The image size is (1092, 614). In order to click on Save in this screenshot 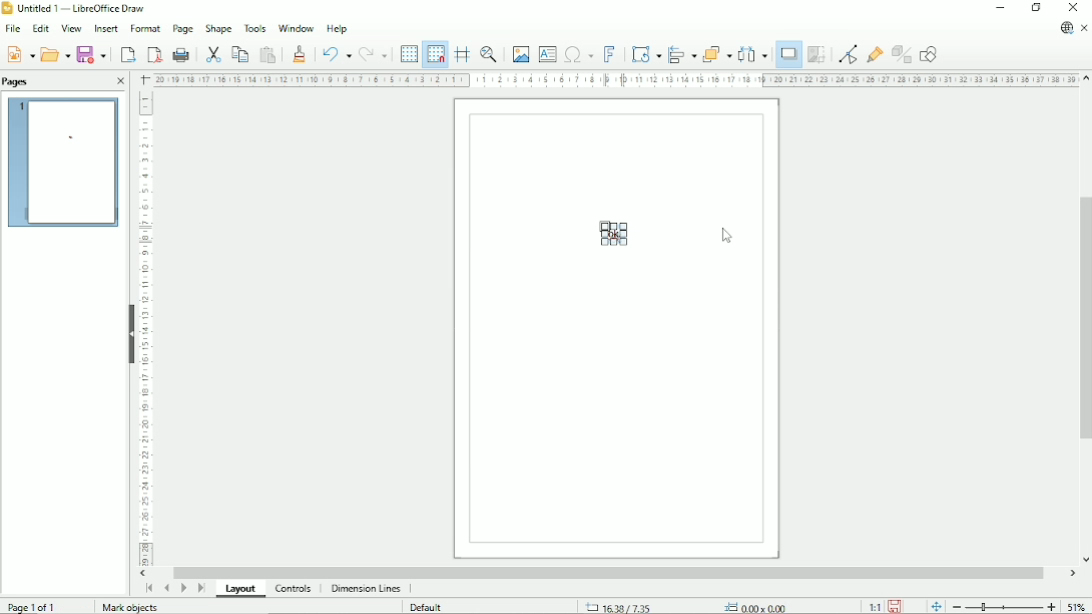, I will do `click(894, 606)`.